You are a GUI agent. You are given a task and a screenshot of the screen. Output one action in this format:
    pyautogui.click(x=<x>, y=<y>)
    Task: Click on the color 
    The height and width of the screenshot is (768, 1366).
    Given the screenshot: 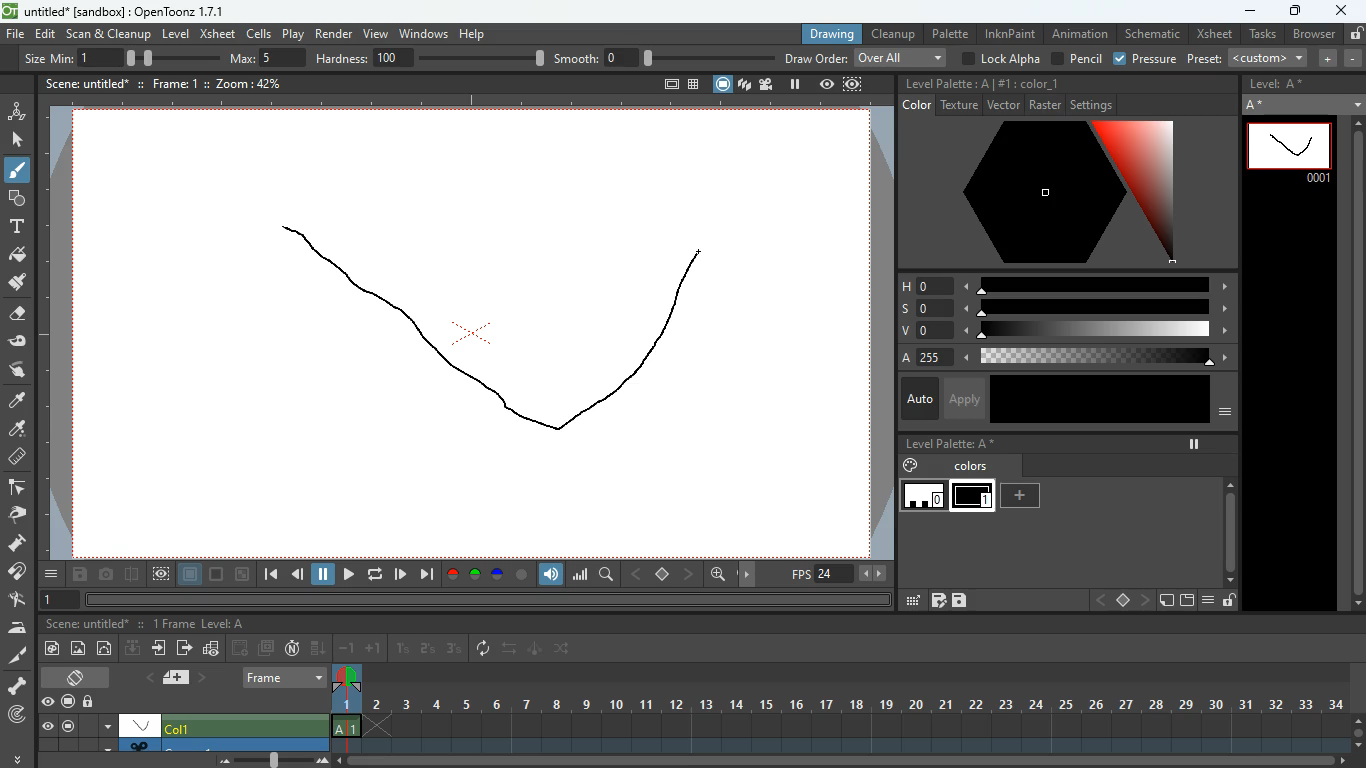 What is the action you would take?
    pyautogui.click(x=1098, y=400)
    